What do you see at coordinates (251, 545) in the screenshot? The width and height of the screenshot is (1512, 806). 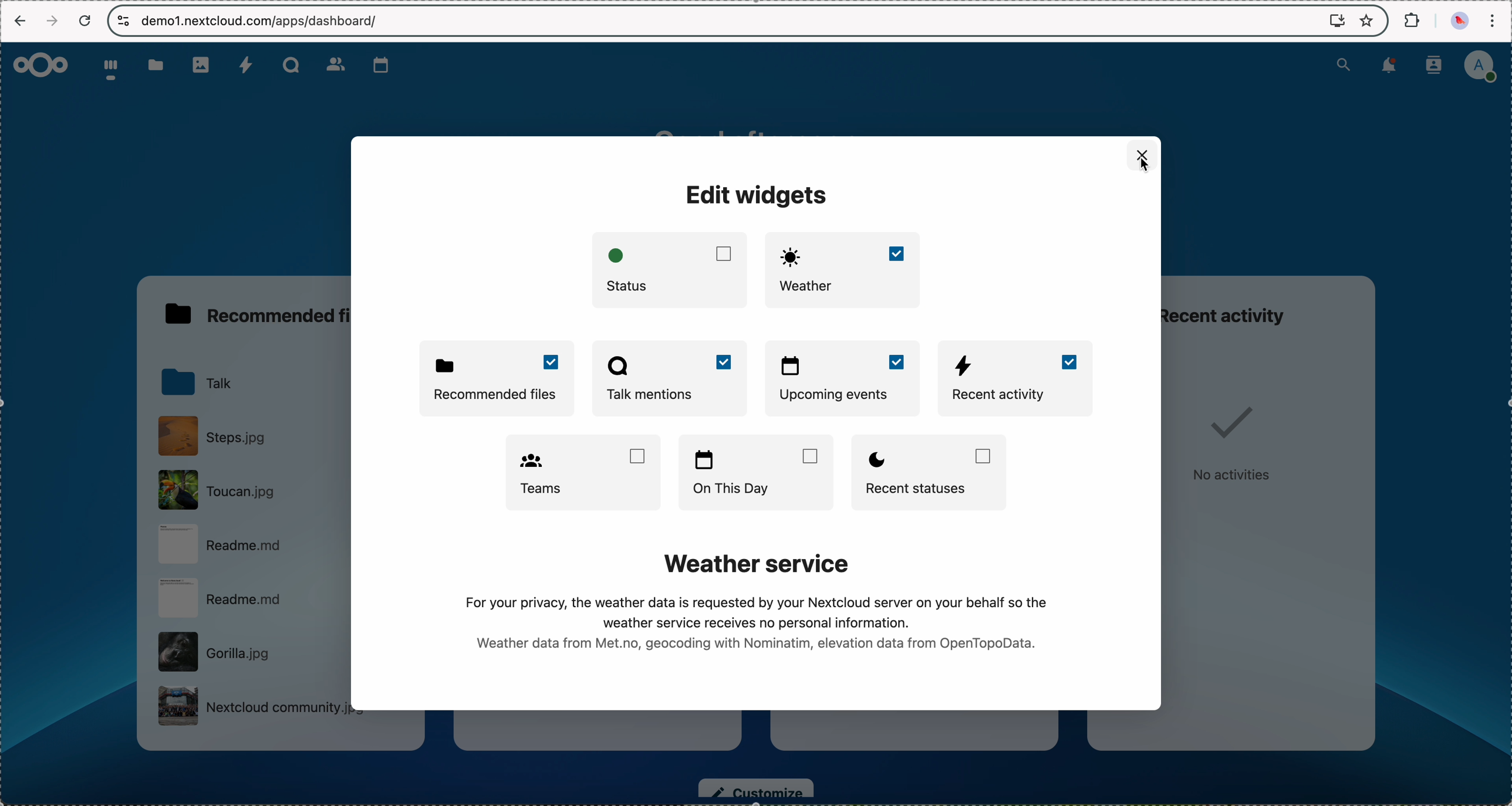 I see `file` at bounding box center [251, 545].